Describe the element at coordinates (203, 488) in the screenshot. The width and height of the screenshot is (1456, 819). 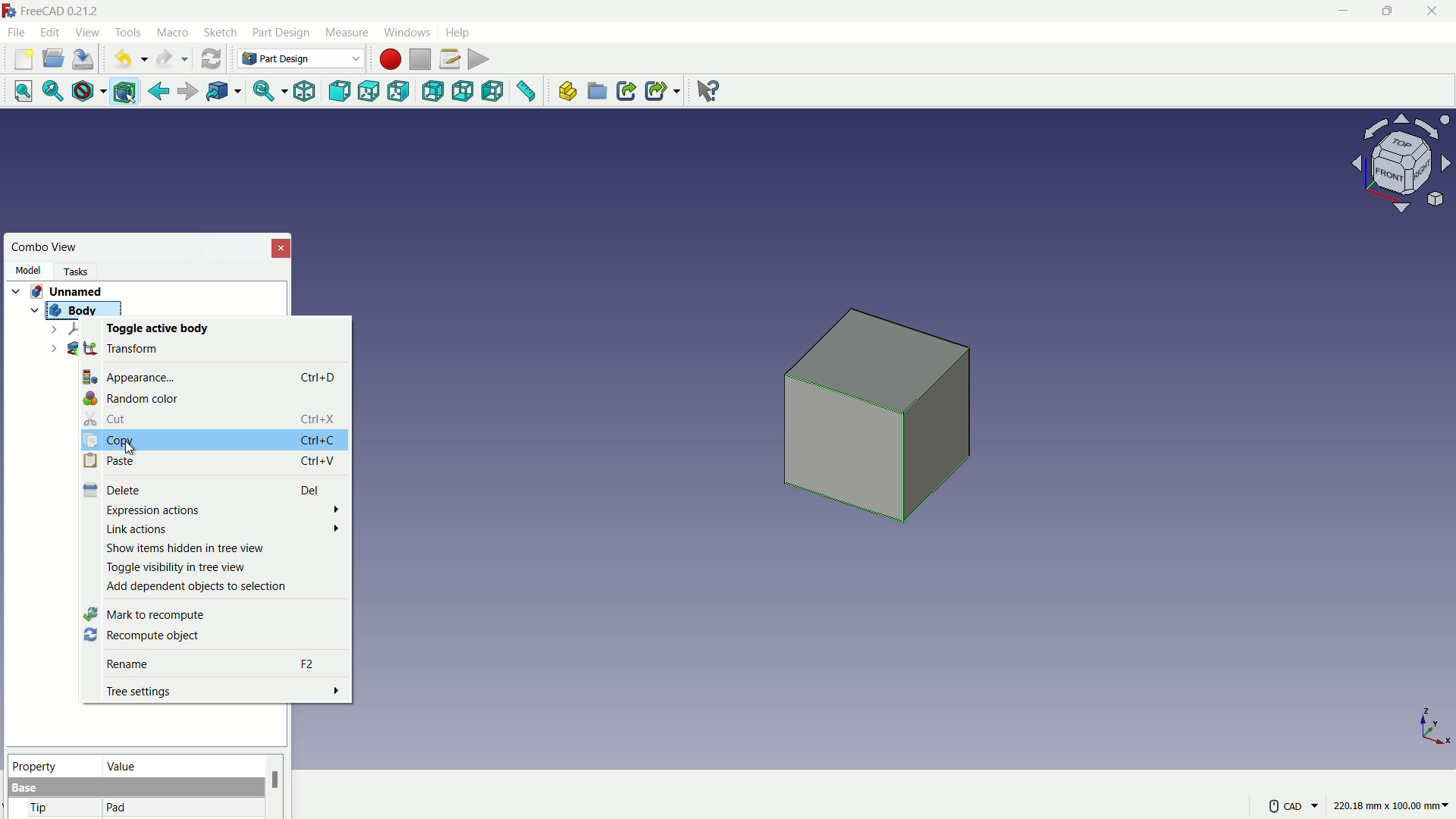
I see `Delete Del` at that location.